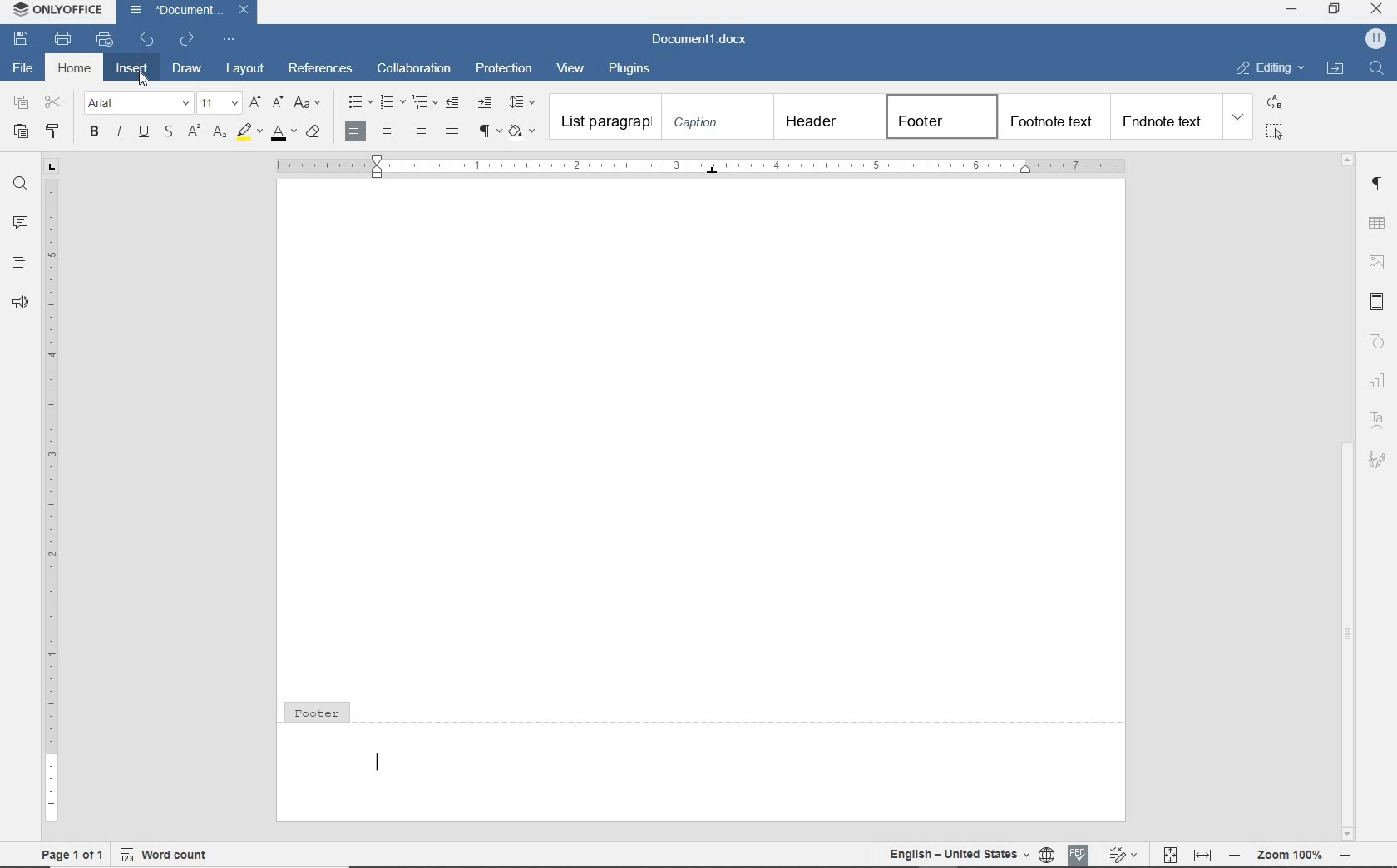  What do you see at coordinates (243, 10) in the screenshot?
I see `Close` at bounding box center [243, 10].